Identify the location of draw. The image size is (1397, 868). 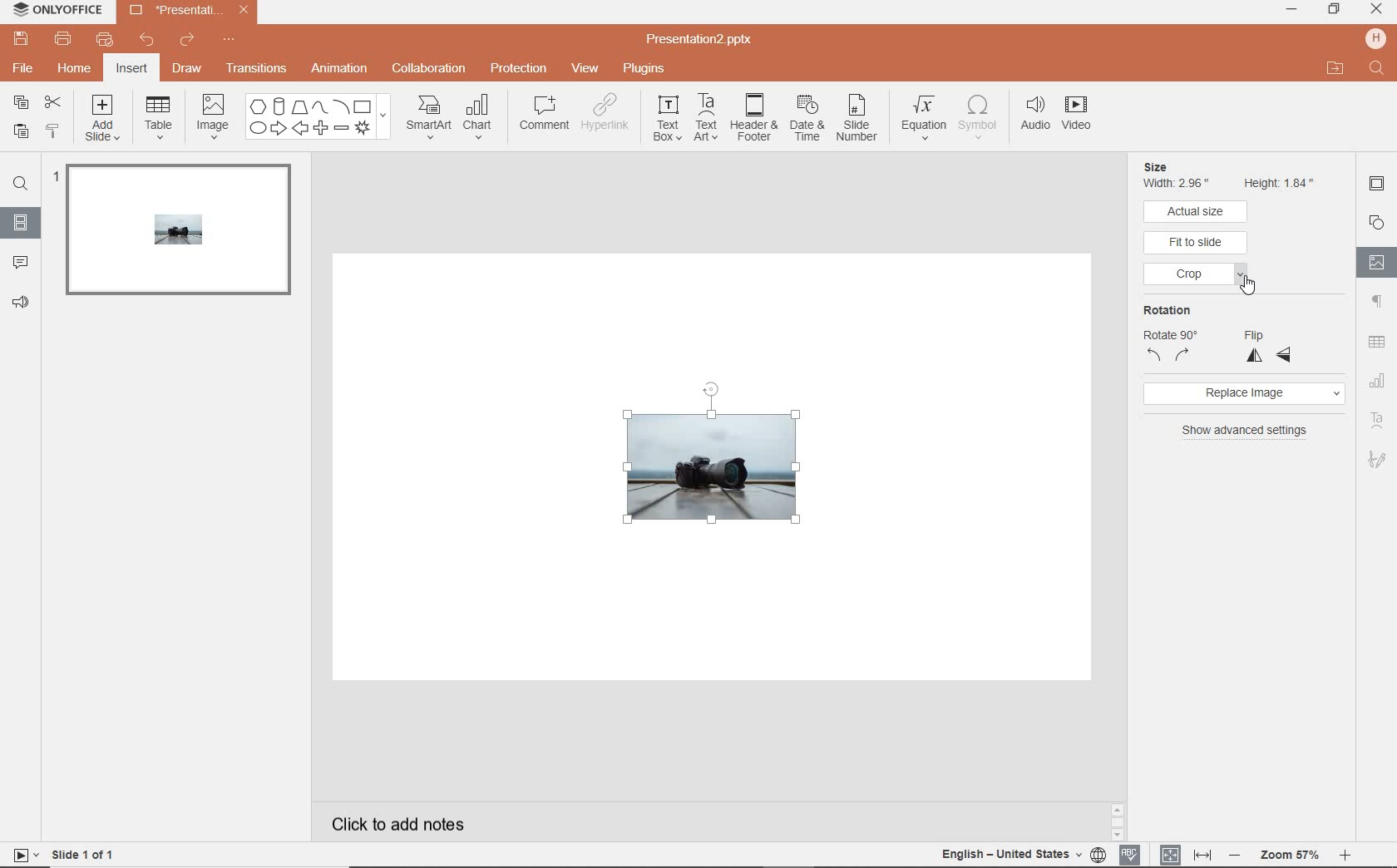
(188, 70).